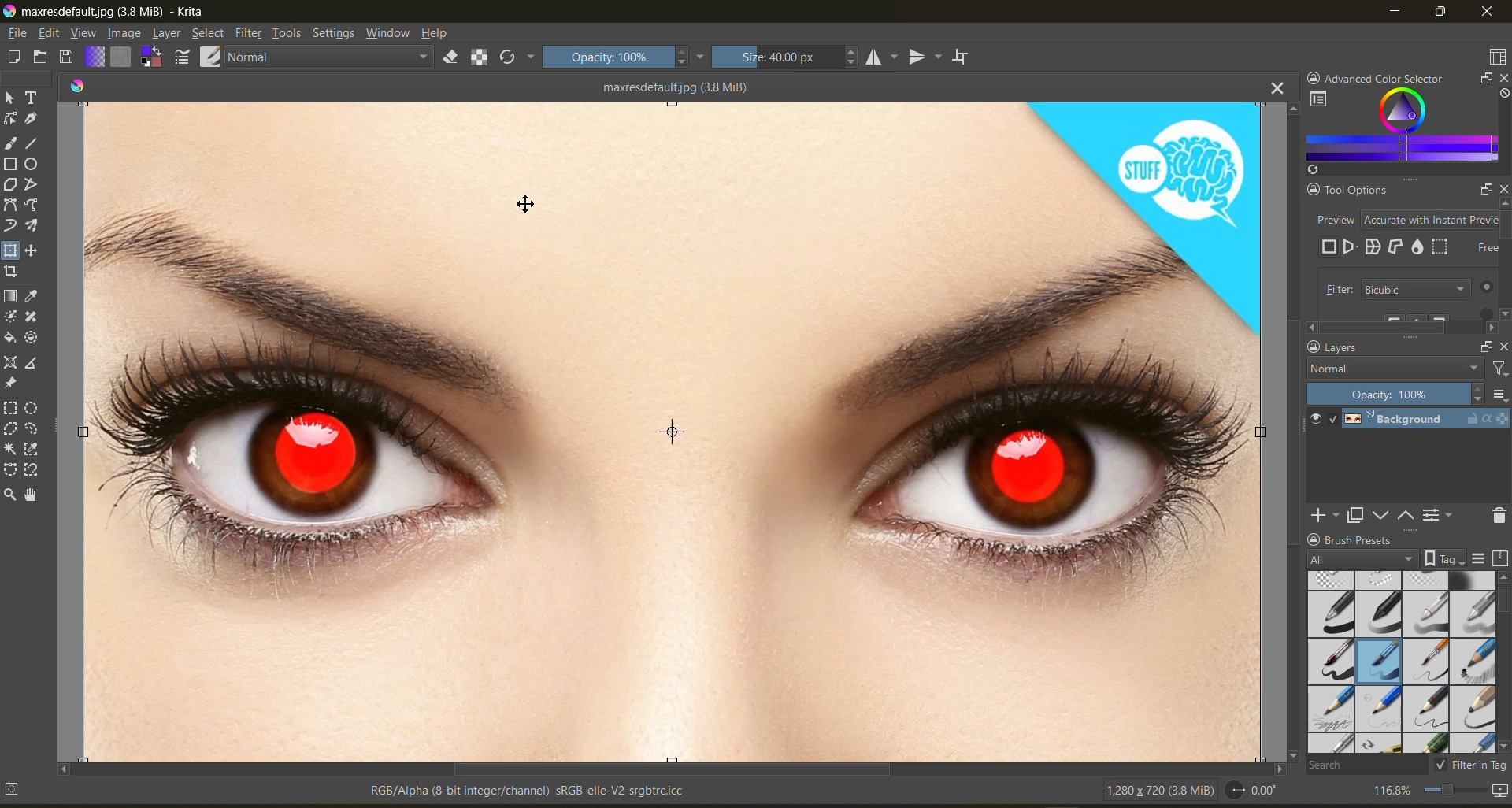 The height and width of the screenshot is (808, 1512). I want to click on tool, so click(9, 428).